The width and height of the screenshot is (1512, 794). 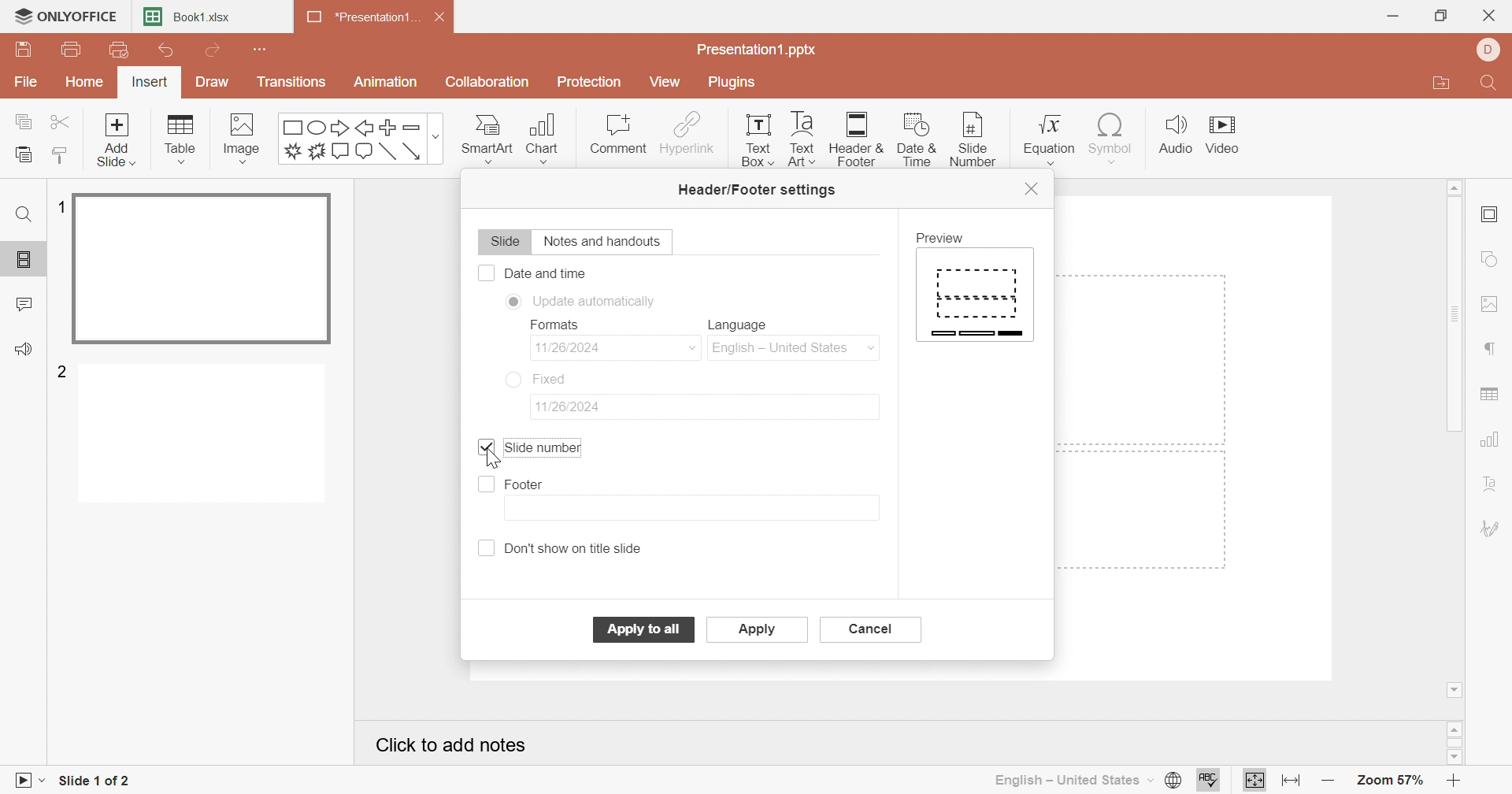 I want to click on Shapes, so click(x=362, y=139).